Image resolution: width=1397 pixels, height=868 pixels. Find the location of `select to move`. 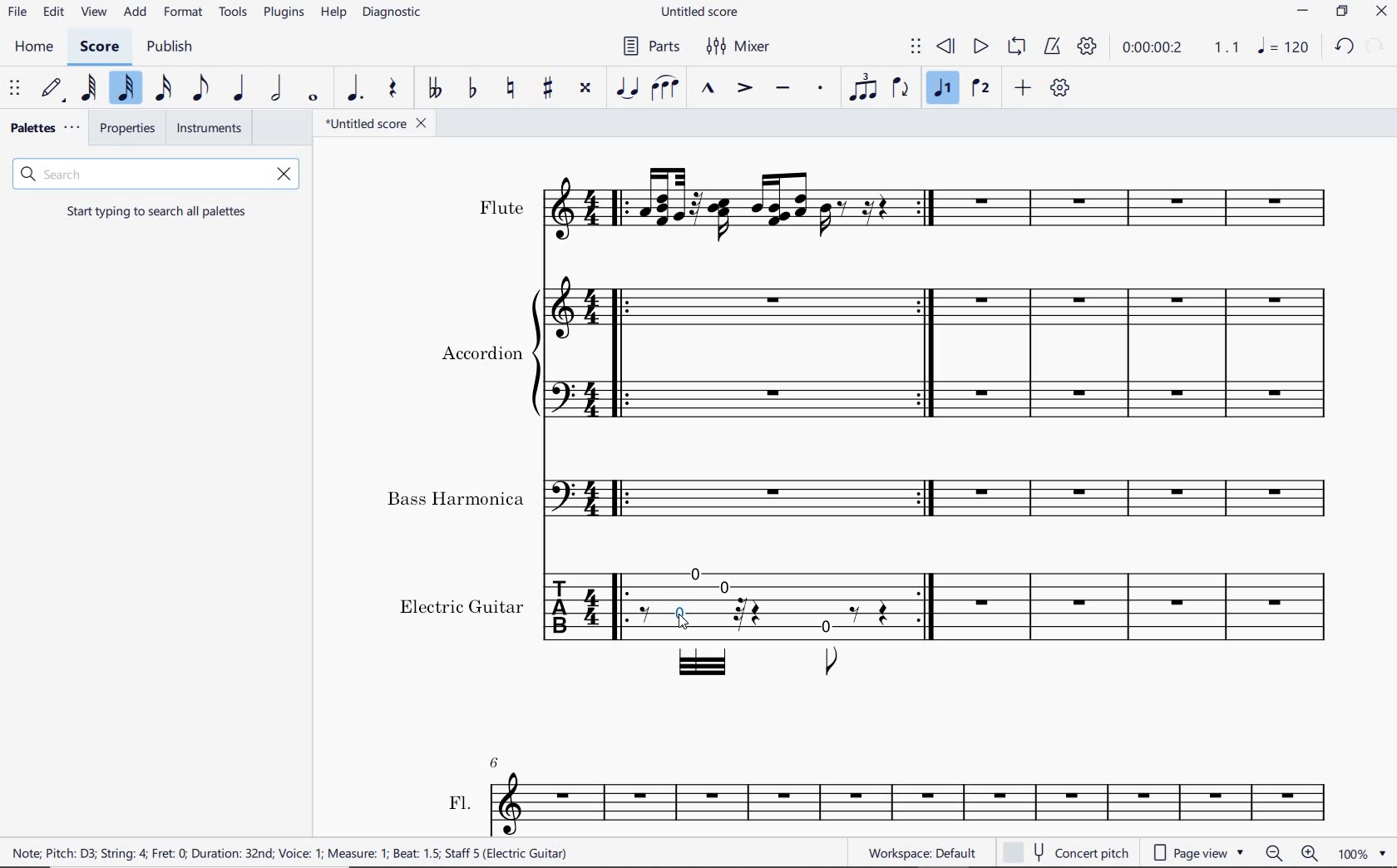

select to move is located at coordinates (16, 89).